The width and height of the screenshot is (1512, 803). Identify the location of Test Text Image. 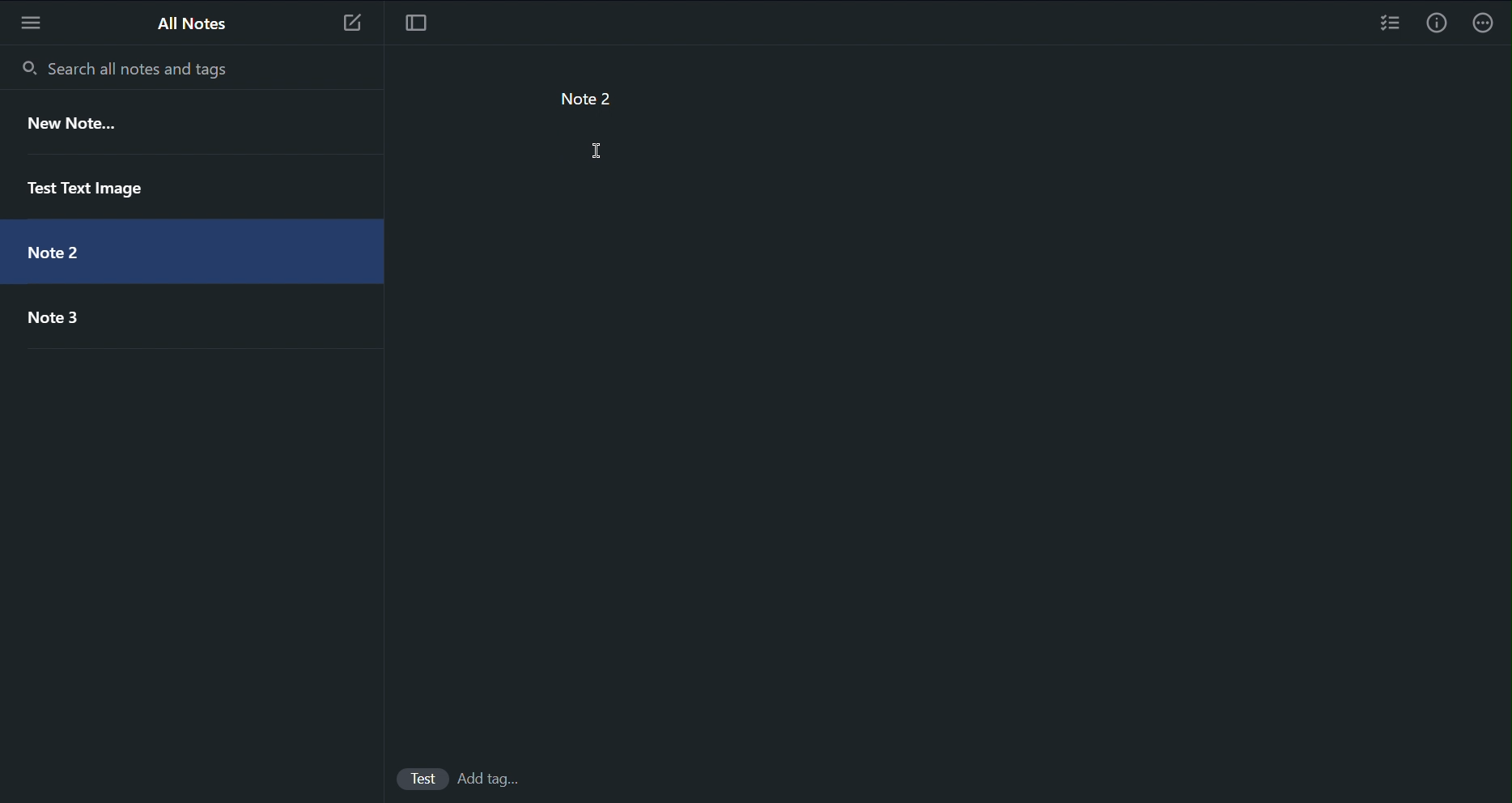
(87, 184).